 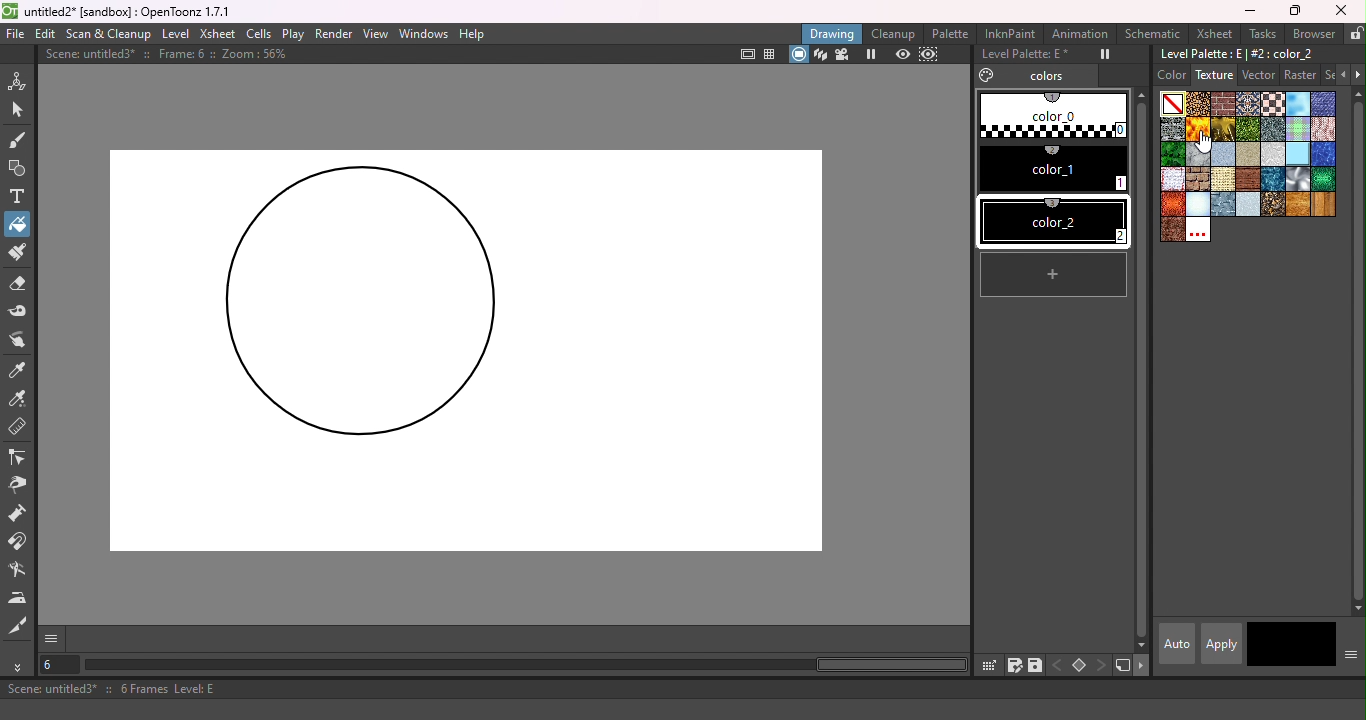 I want to click on Texture, so click(x=1213, y=74).